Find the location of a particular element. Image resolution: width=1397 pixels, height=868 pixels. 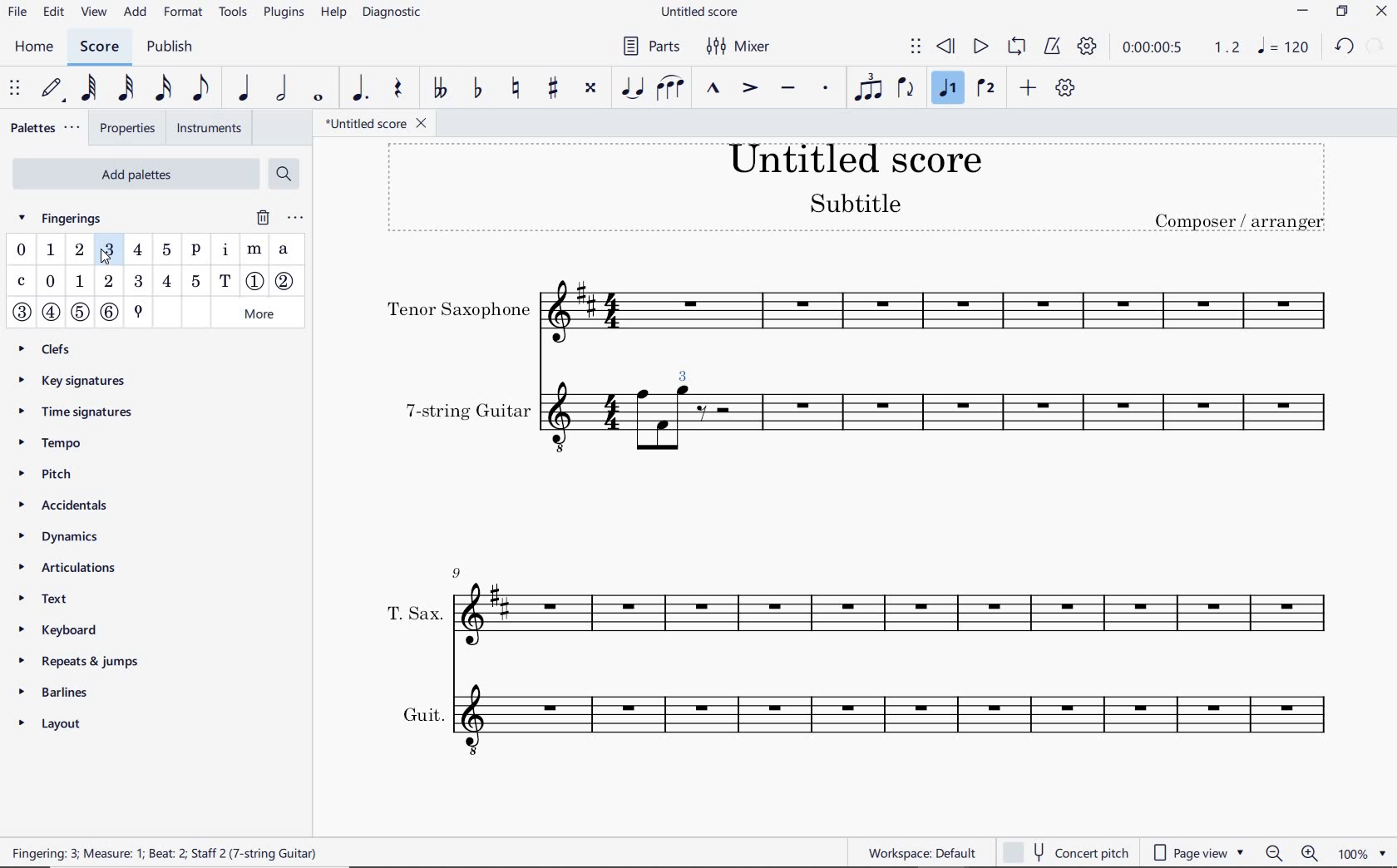

CLEFS is located at coordinates (52, 348).